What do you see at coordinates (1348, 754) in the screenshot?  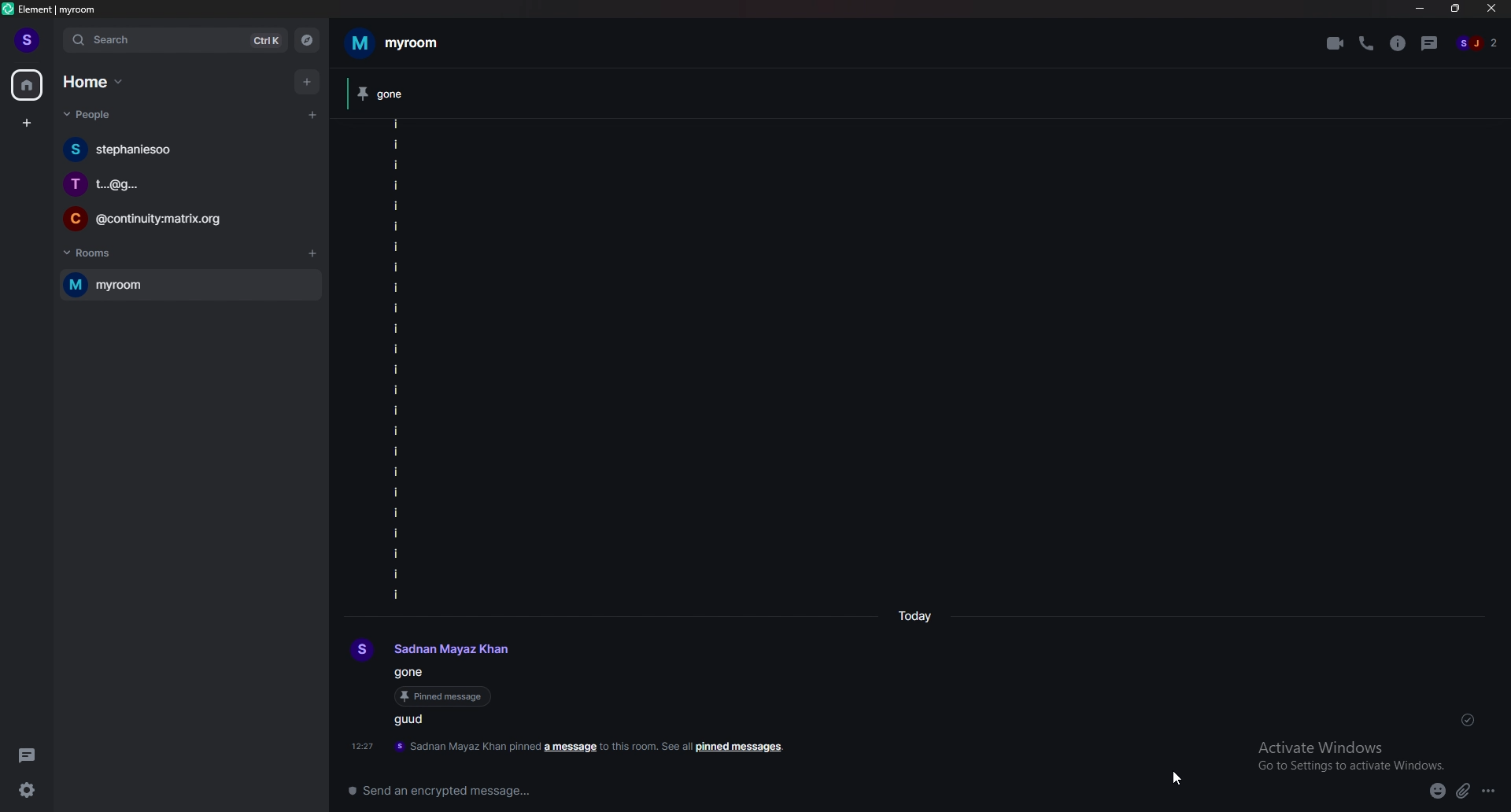 I see `Activate Windows` at bounding box center [1348, 754].